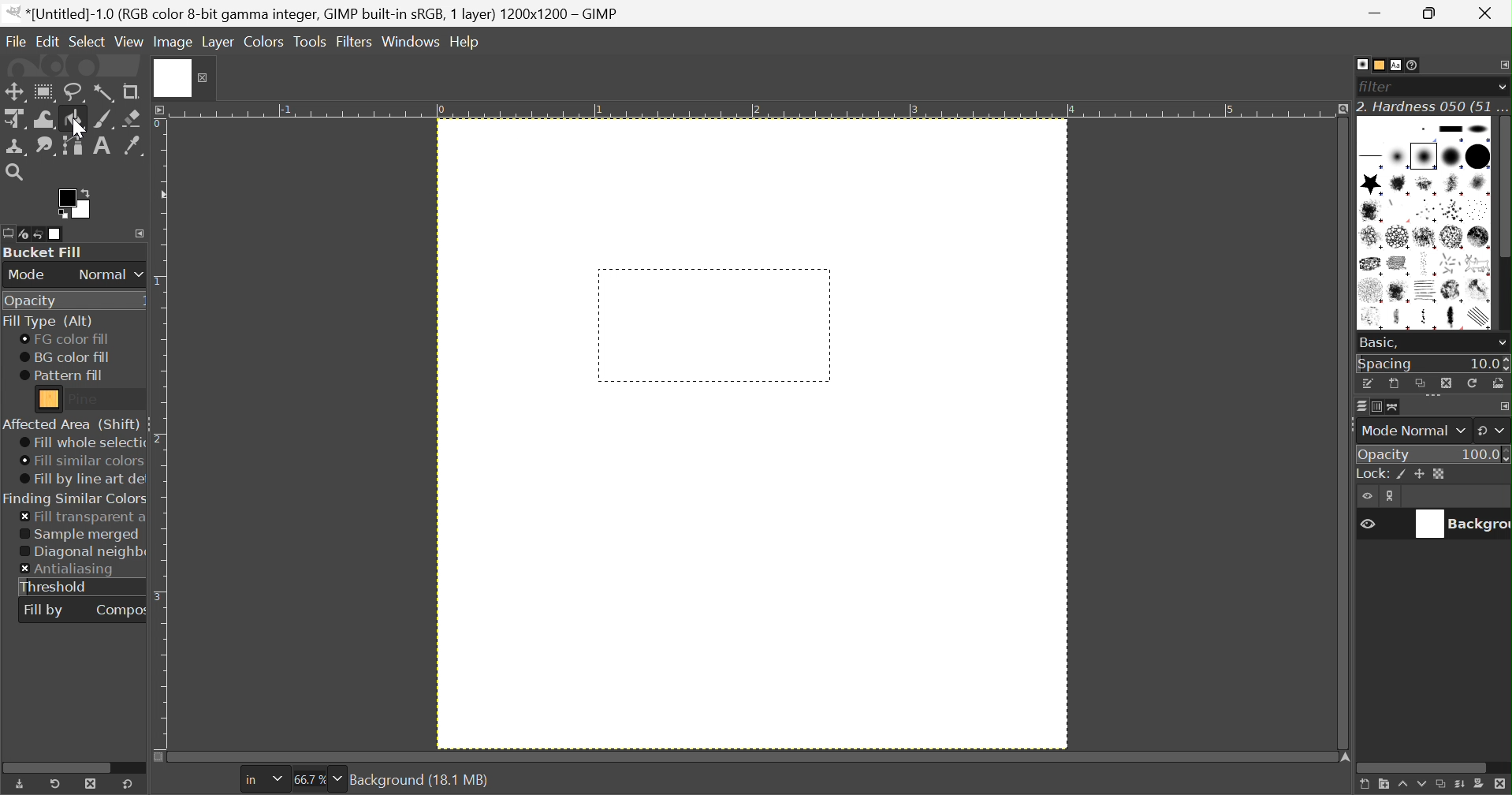  I want to click on Pixel, so click(1424, 129).